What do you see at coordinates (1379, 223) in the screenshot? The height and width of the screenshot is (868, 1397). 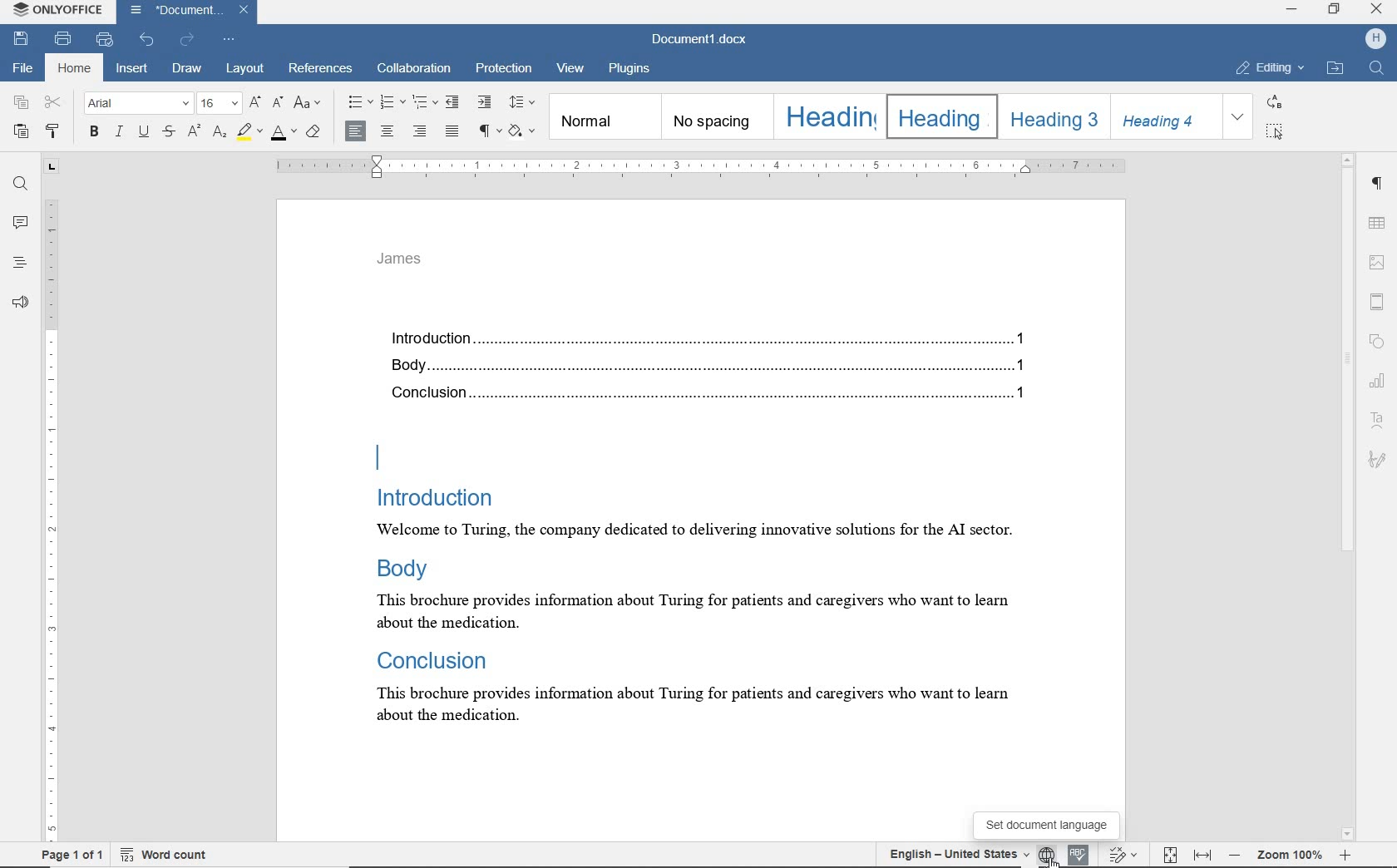 I see `table` at bounding box center [1379, 223].